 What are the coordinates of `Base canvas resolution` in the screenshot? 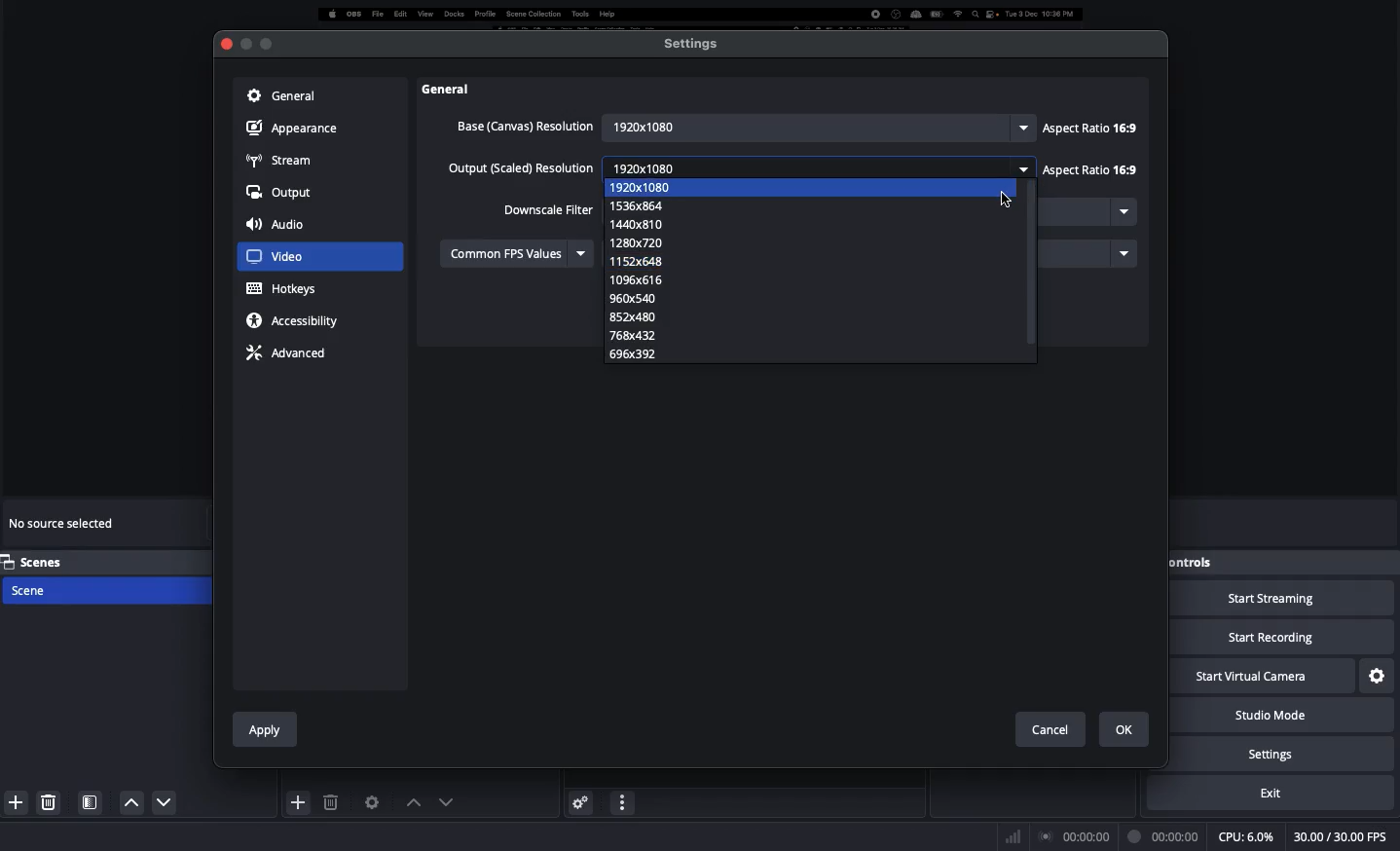 It's located at (523, 126).